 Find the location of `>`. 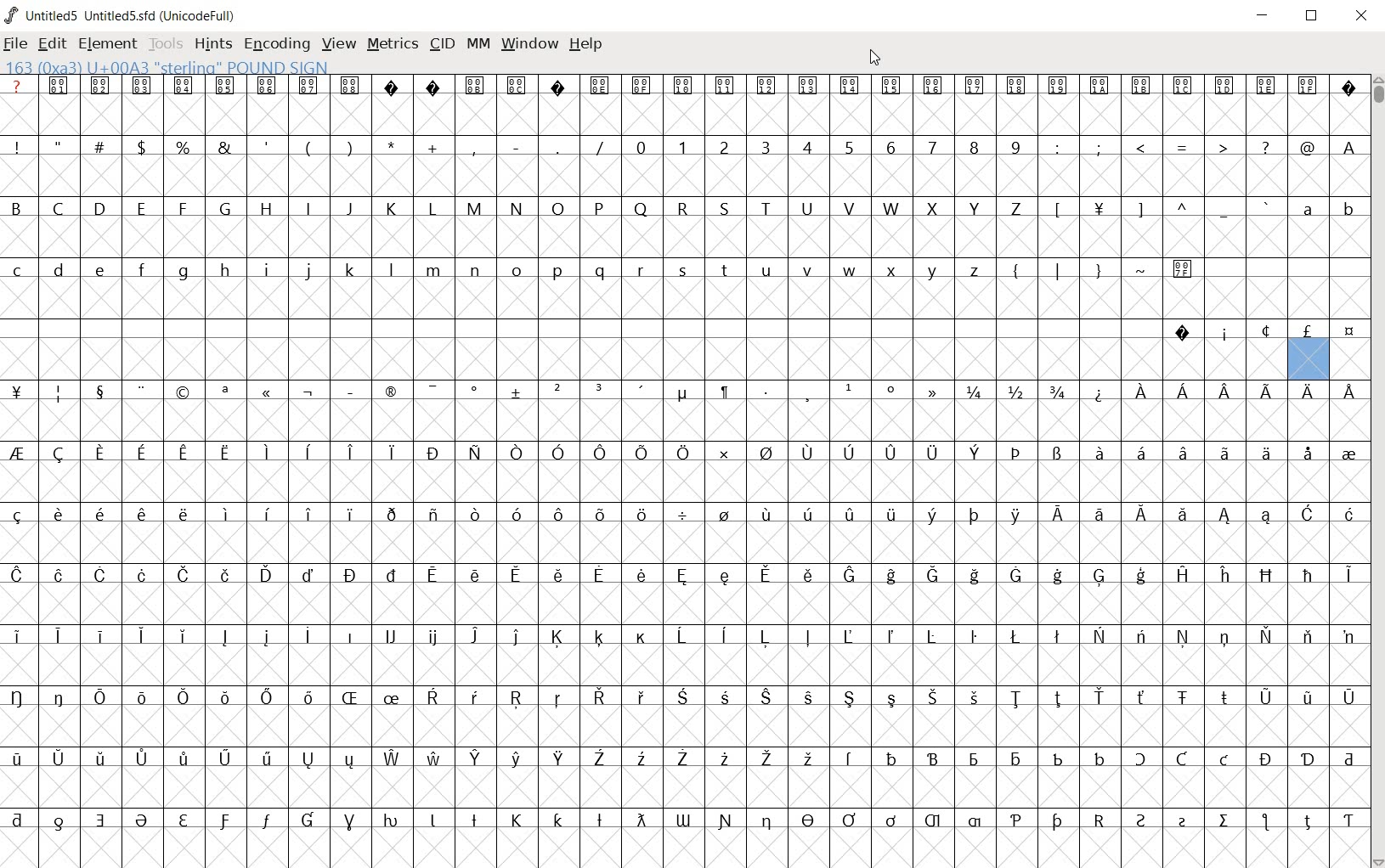

> is located at coordinates (1224, 148).